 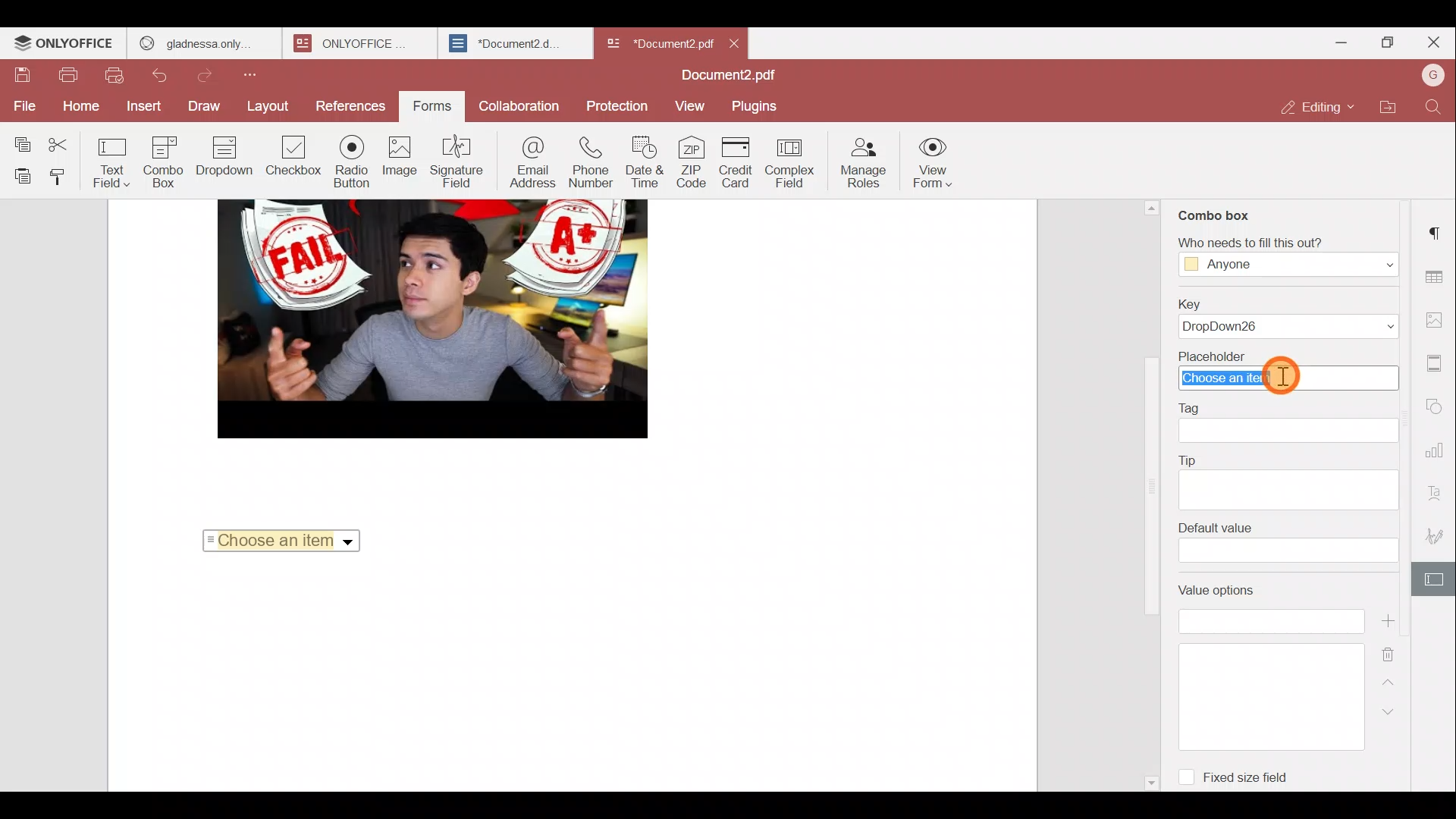 What do you see at coordinates (427, 107) in the screenshot?
I see `Forms` at bounding box center [427, 107].